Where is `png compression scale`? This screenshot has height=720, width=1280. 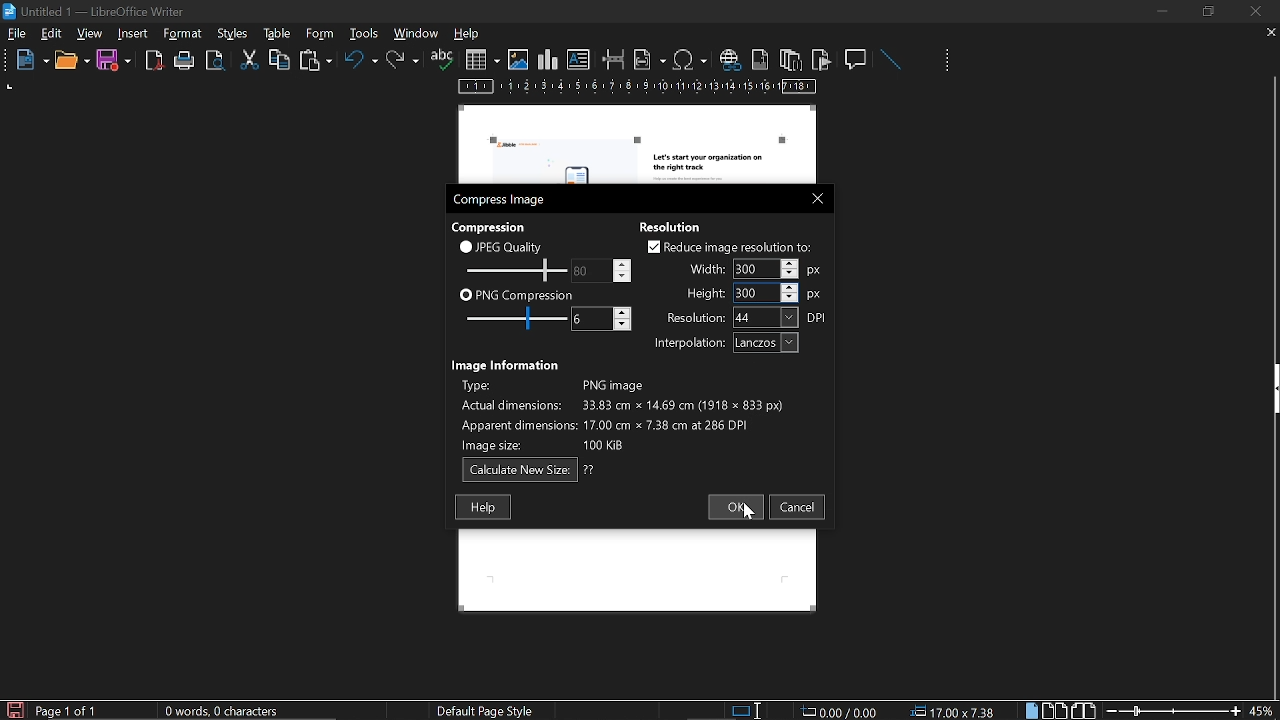 png compression scale is located at coordinates (511, 318).